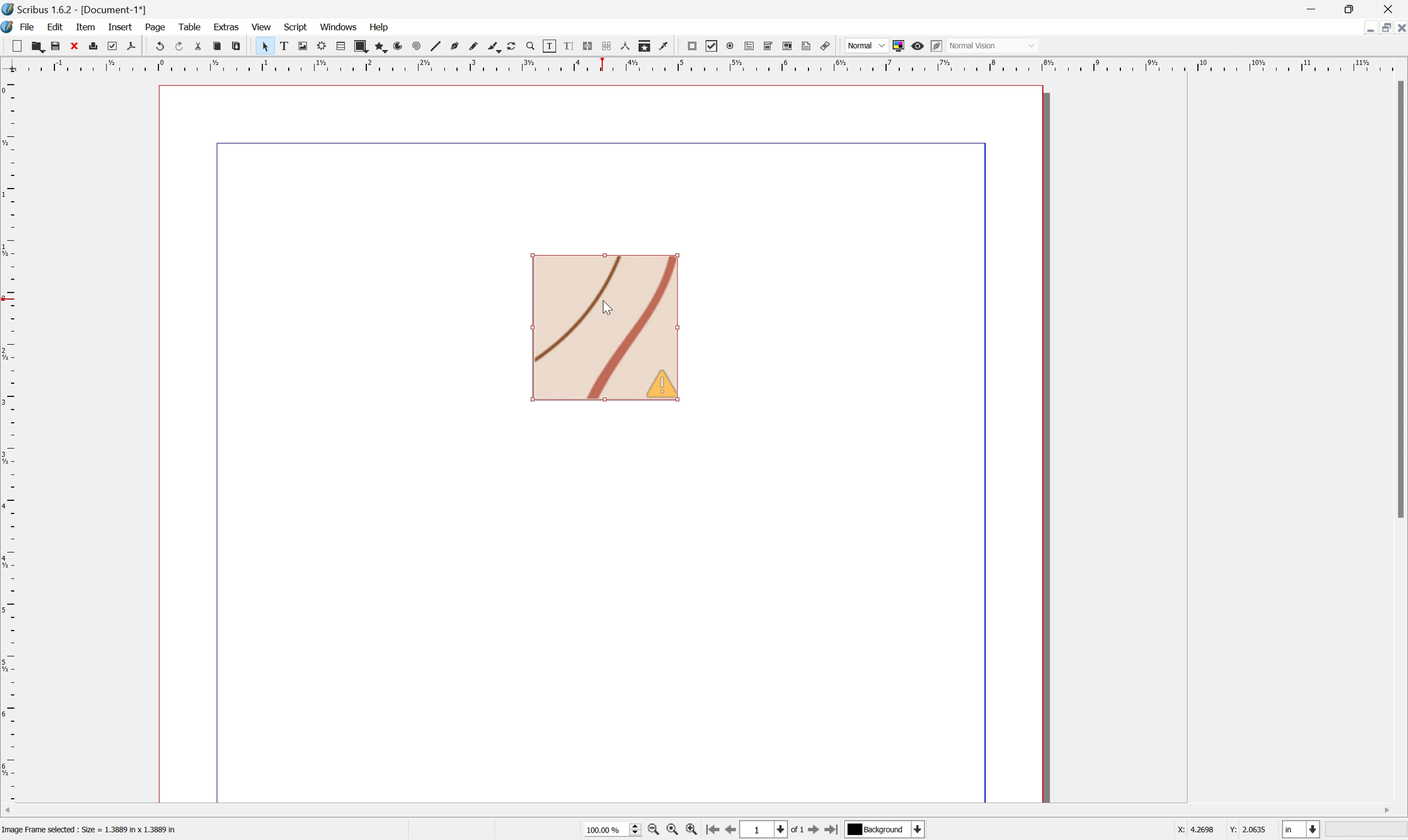 Image resolution: width=1408 pixels, height=840 pixels. Describe the element at coordinates (269, 47) in the screenshot. I see `Select item` at that location.